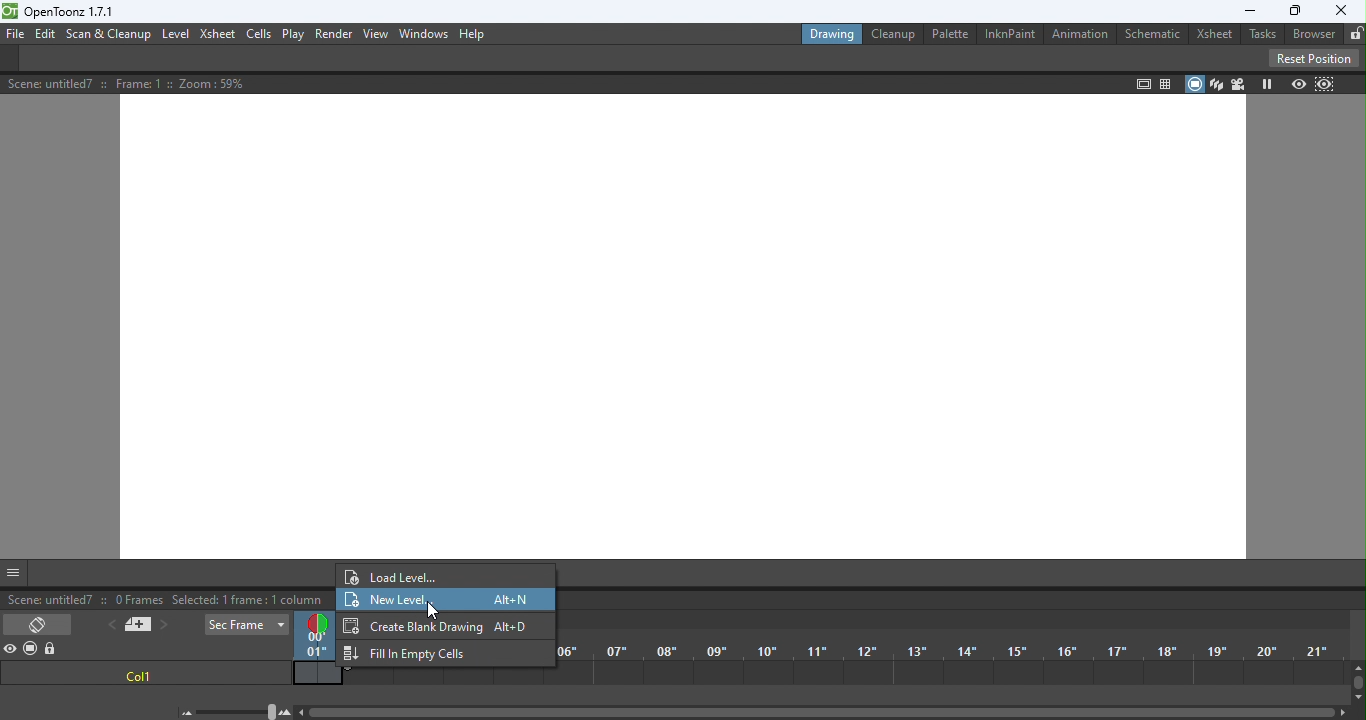 The image size is (1366, 720). Describe the element at coordinates (291, 35) in the screenshot. I see `Play` at that location.